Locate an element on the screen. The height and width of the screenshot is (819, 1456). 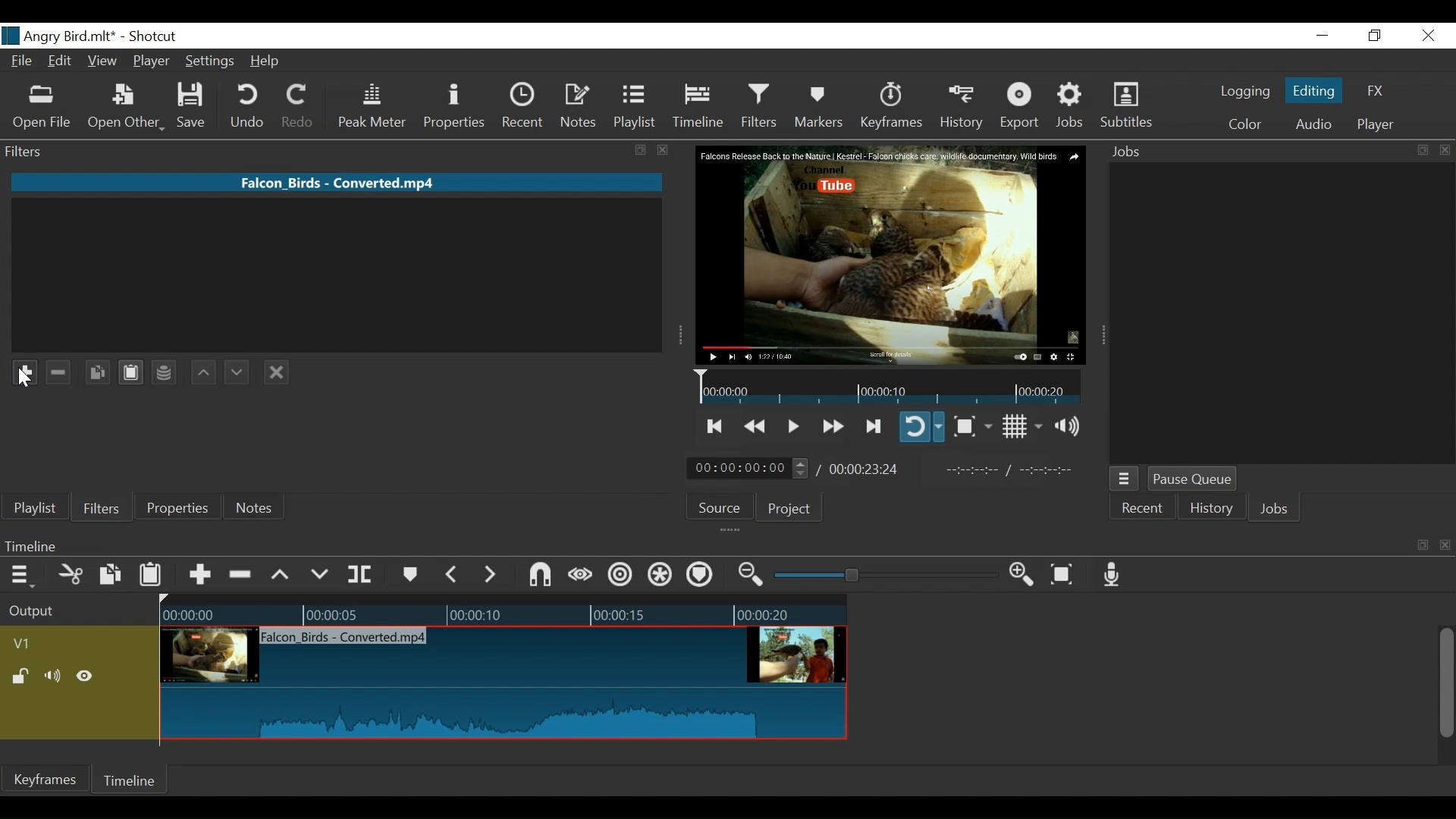
Playlist menu is located at coordinates (24, 472).